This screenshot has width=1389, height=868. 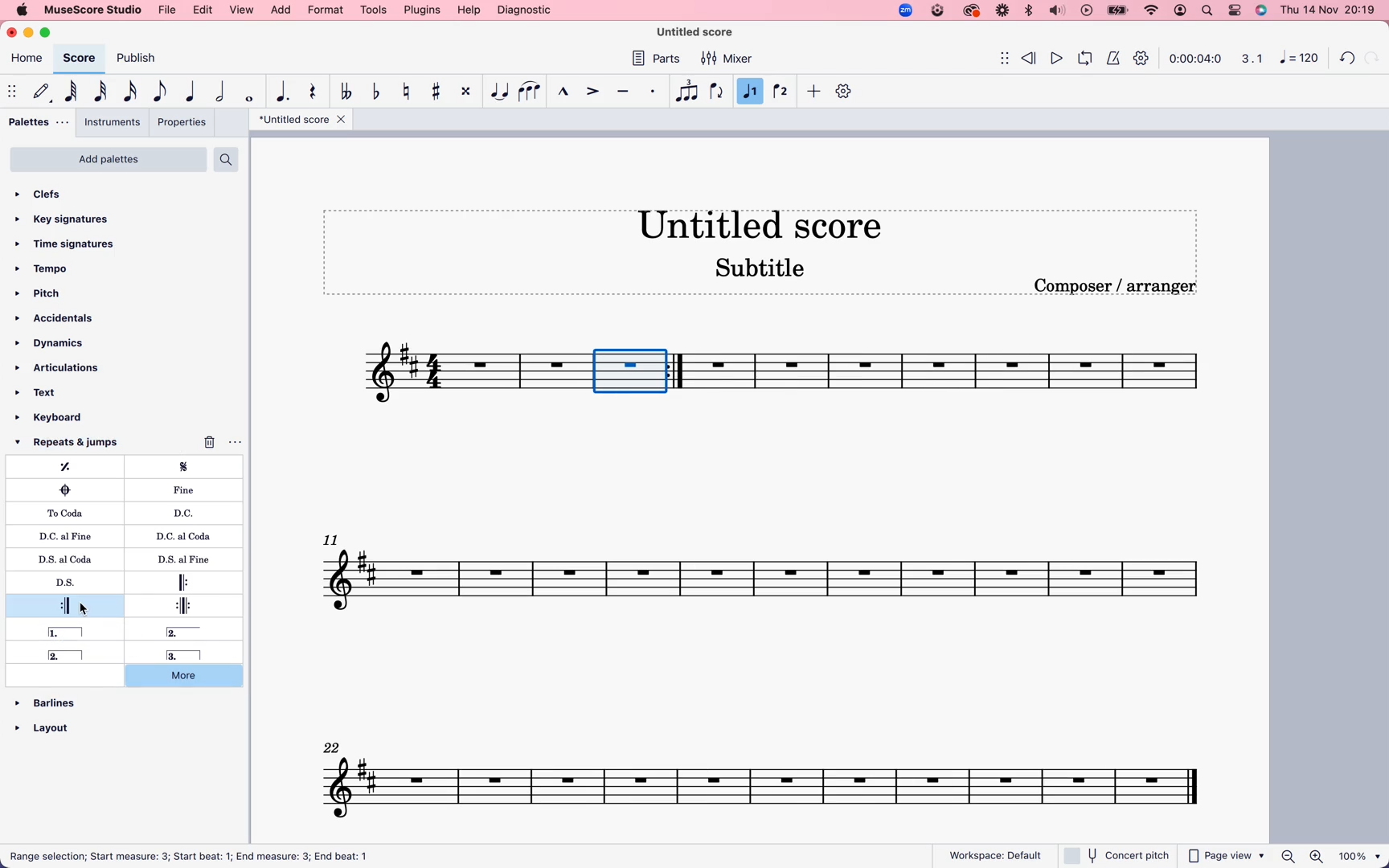 I want to click on left start repeat sign, so click(x=187, y=582).